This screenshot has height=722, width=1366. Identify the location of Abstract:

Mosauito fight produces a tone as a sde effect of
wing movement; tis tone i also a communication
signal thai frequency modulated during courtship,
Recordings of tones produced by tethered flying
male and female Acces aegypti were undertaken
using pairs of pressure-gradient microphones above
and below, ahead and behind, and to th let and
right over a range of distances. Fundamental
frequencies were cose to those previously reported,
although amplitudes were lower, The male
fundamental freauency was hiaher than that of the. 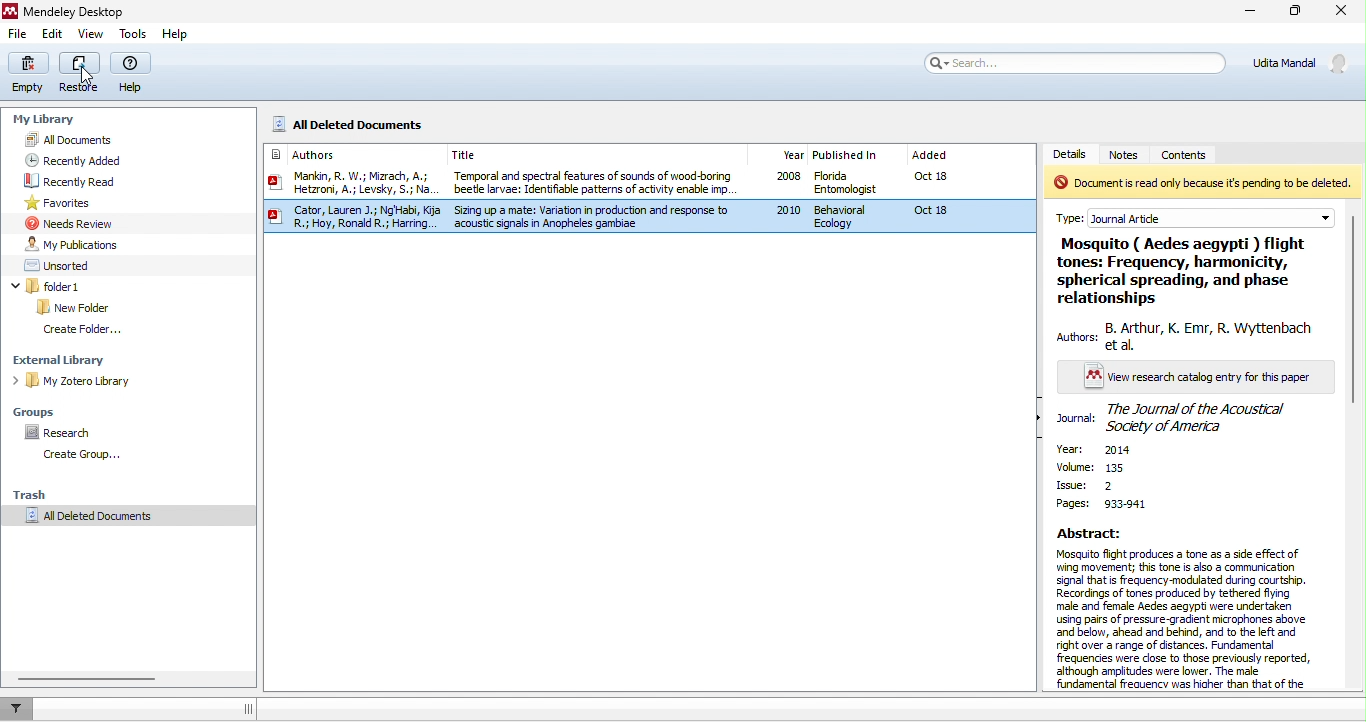
(1182, 609).